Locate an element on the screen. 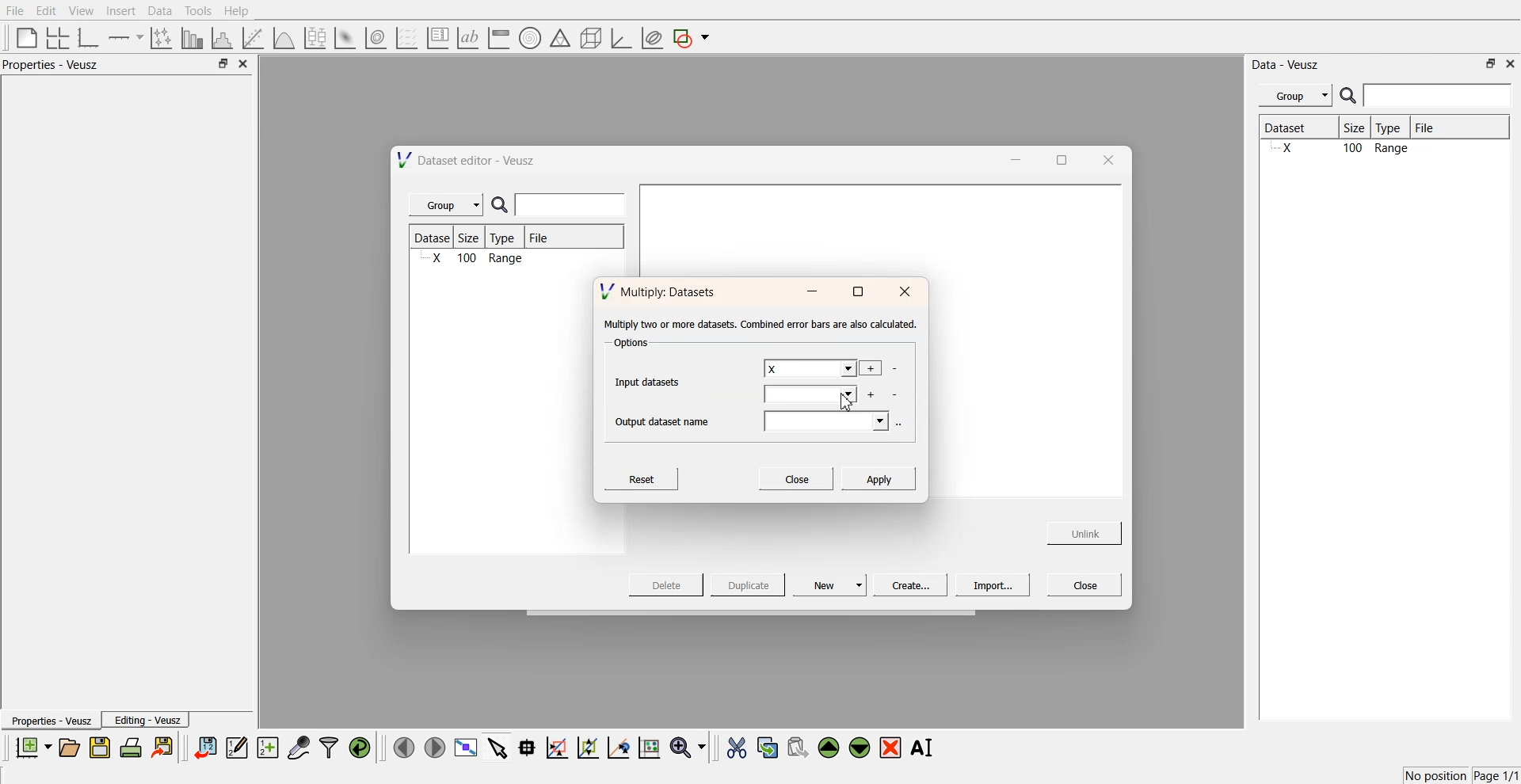 The image size is (1521, 784). plot bar chart is located at coordinates (192, 39).